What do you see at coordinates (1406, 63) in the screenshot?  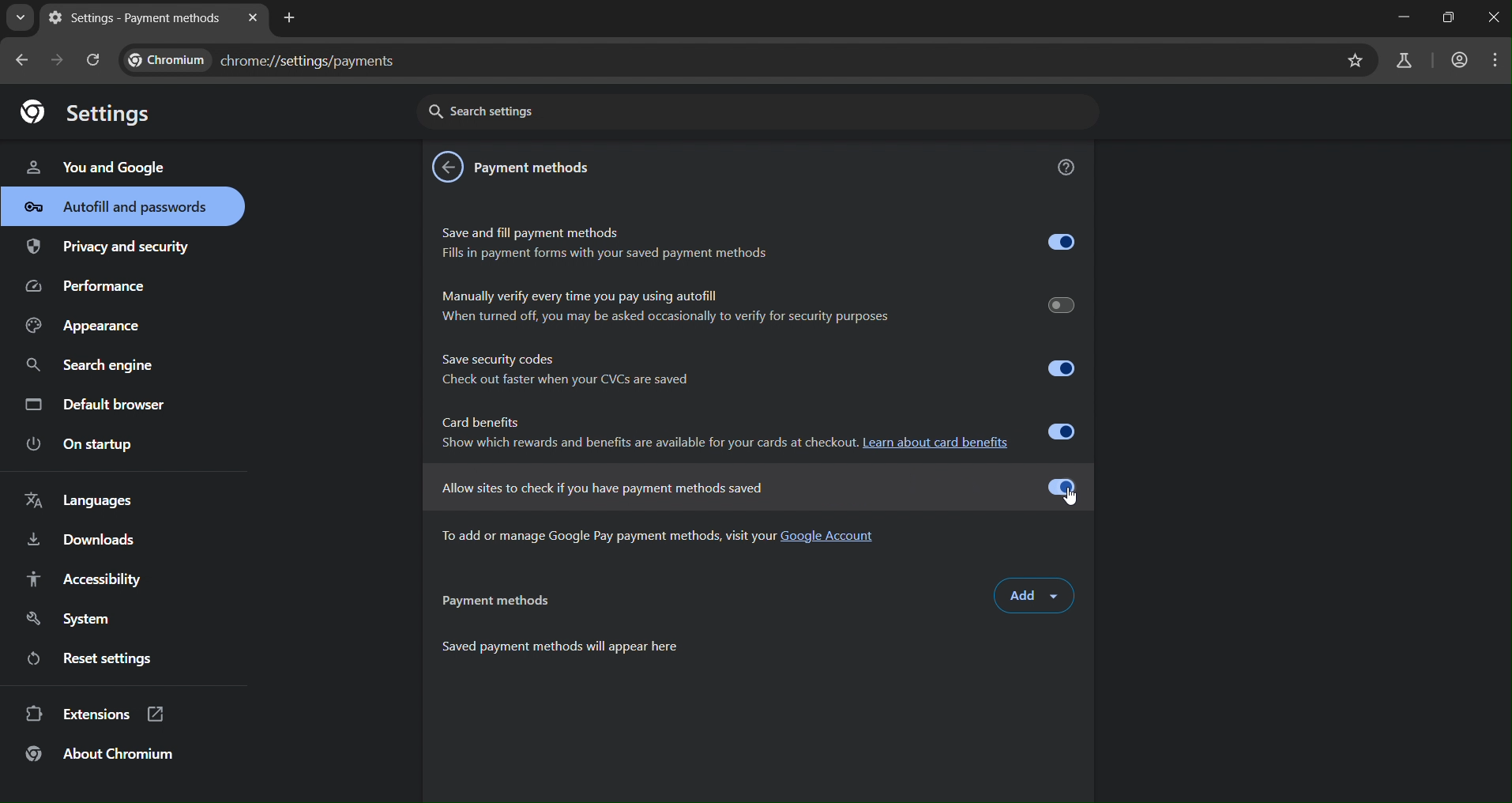 I see `search labs` at bounding box center [1406, 63].